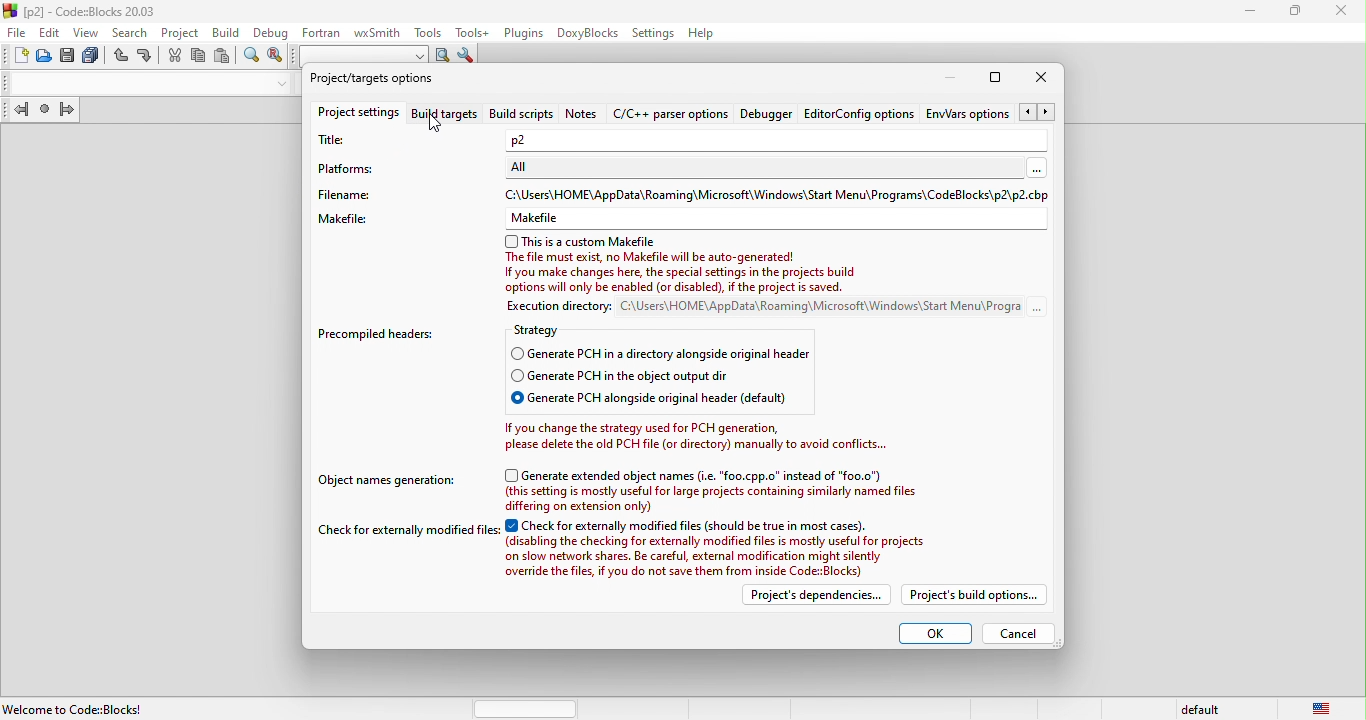  I want to click on wxsmith, so click(371, 31).